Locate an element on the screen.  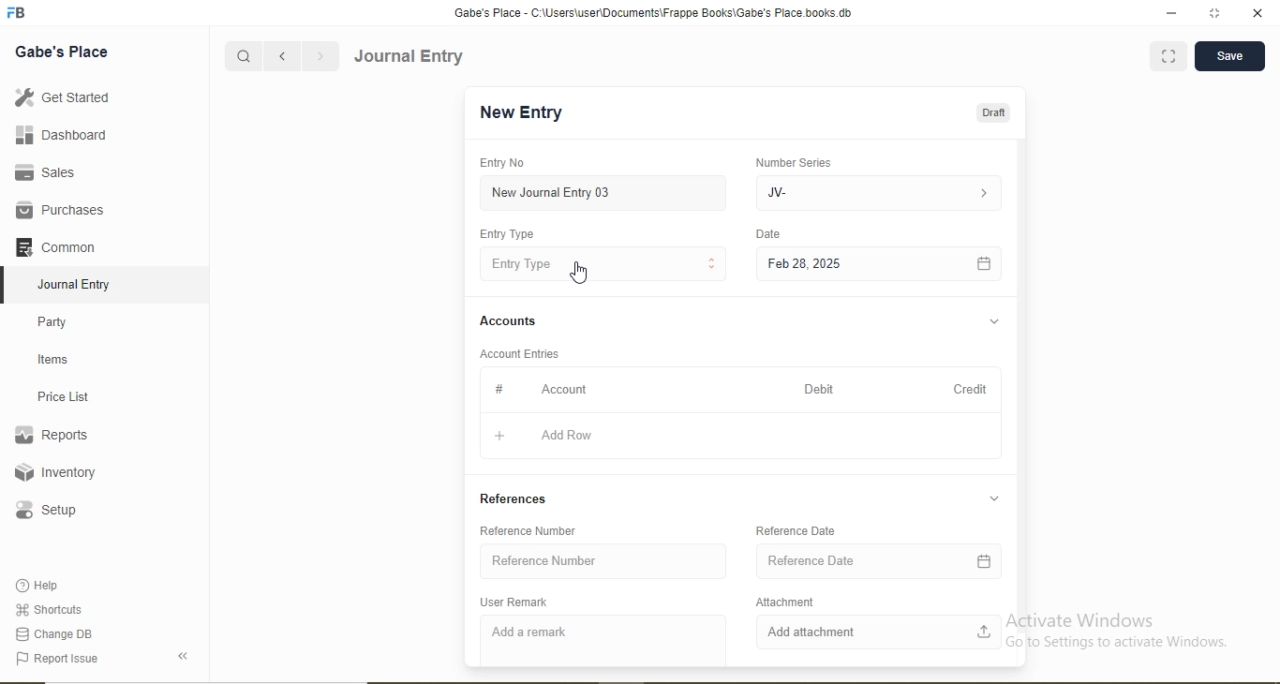
Common is located at coordinates (54, 246).